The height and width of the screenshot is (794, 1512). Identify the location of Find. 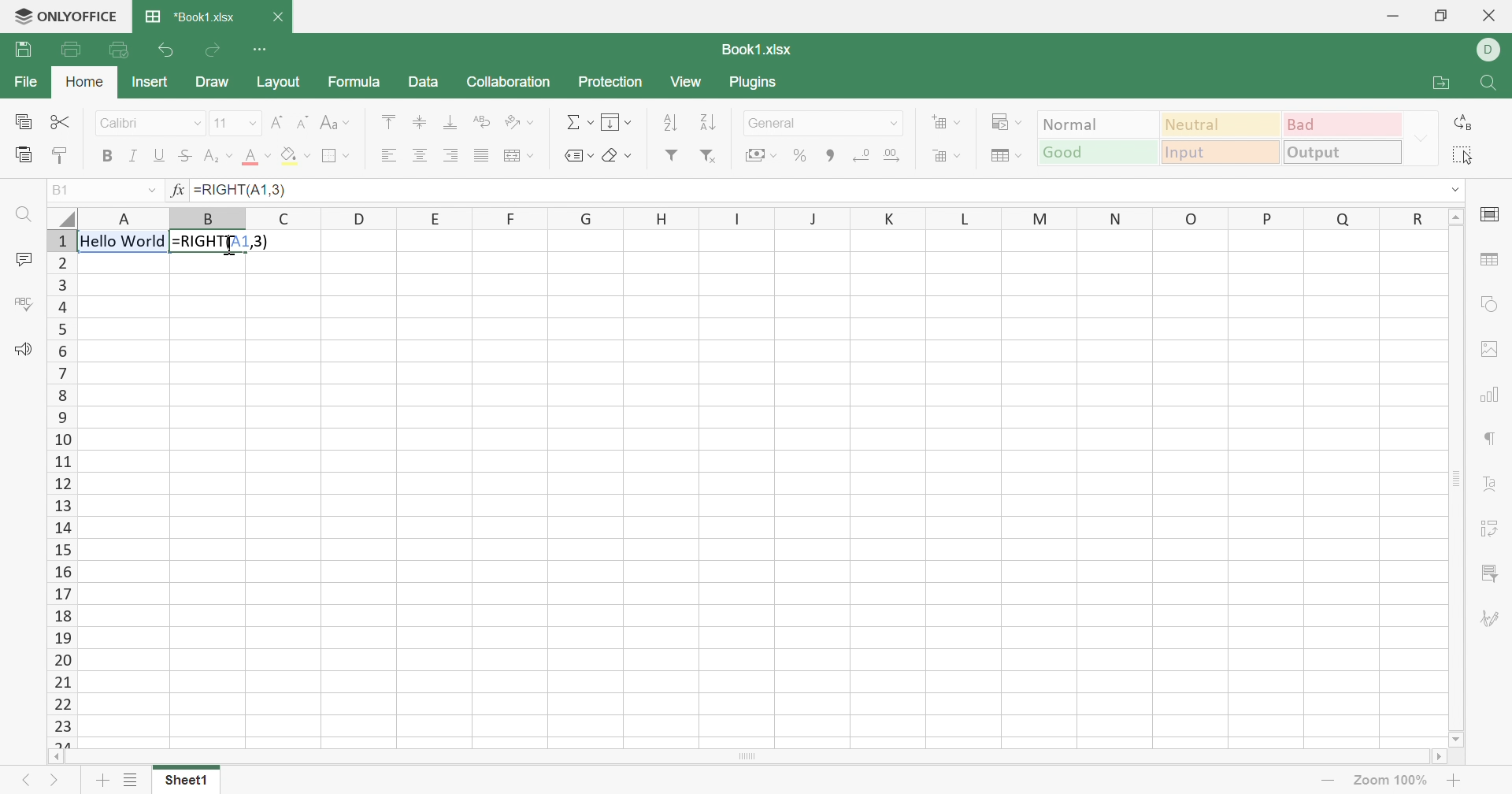
(1492, 83).